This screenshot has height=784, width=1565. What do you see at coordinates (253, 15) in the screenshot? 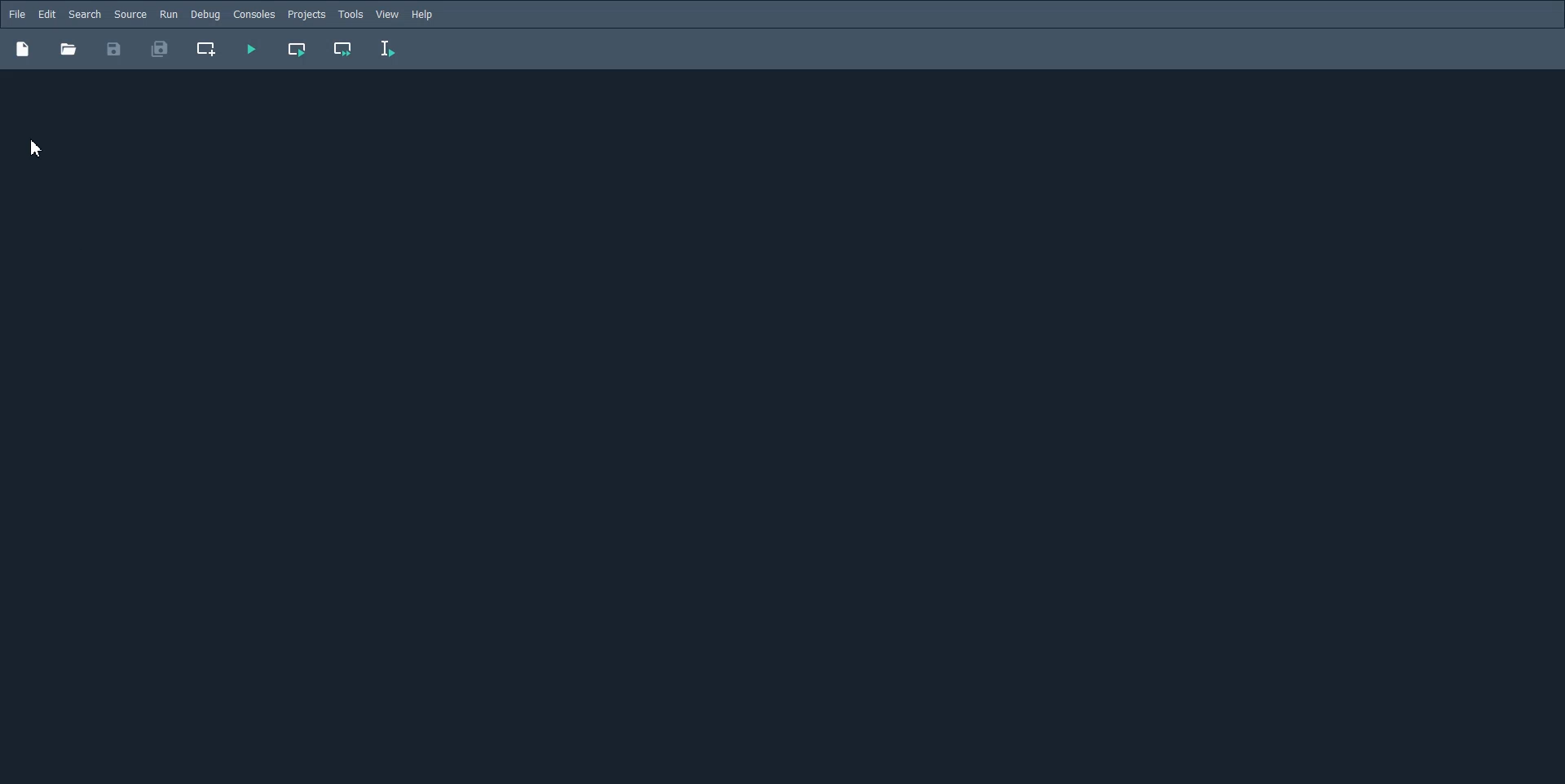
I see `Console` at bounding box center [253, 15].